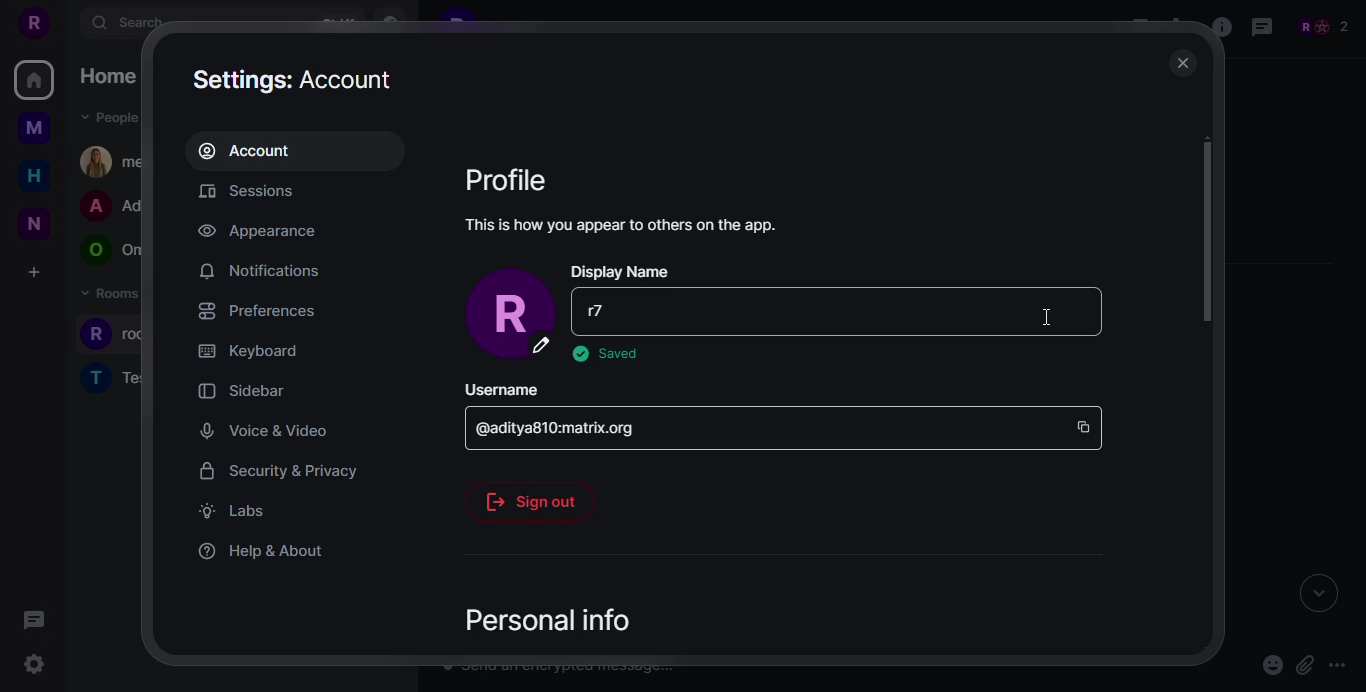 The height and width of the screenshot is (692, 1366). Describe the element at coordinates (528, 498) in the screenshot. I see `sign out` at that location.